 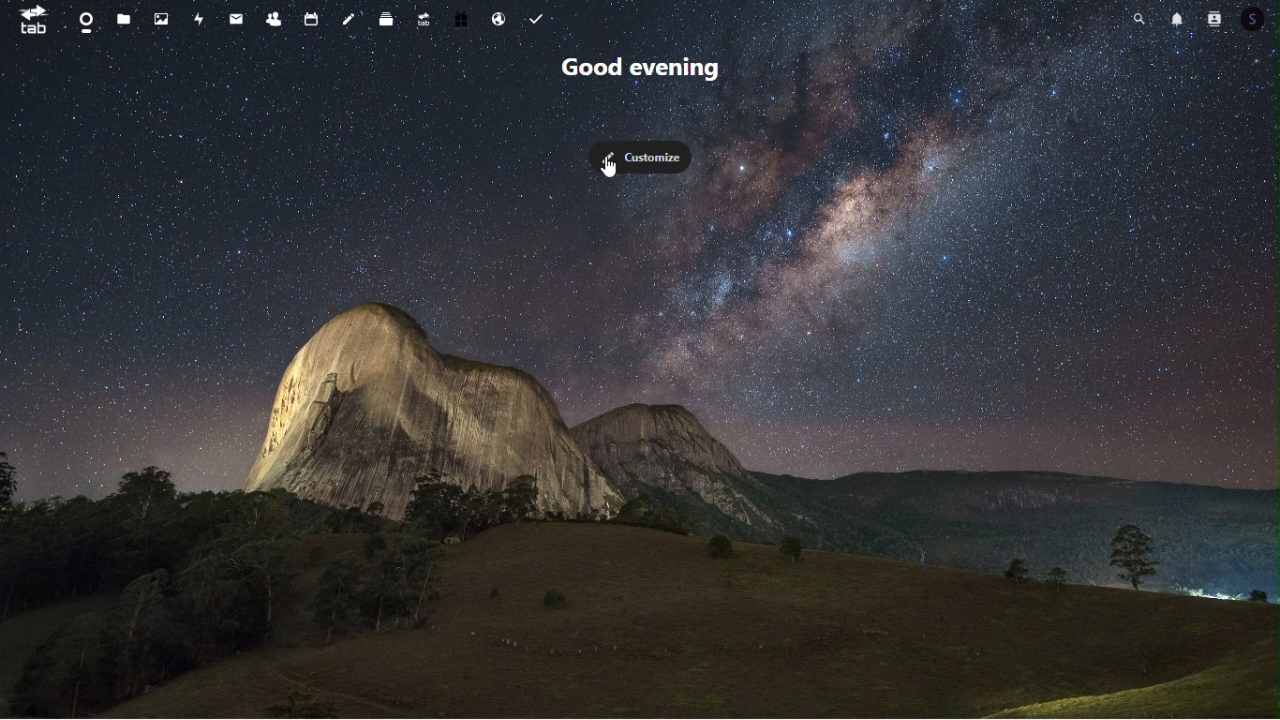 What do you see at coordinates (463, 20) in the screenshot?
I see `free trial ` at bounding box center [463, 20].